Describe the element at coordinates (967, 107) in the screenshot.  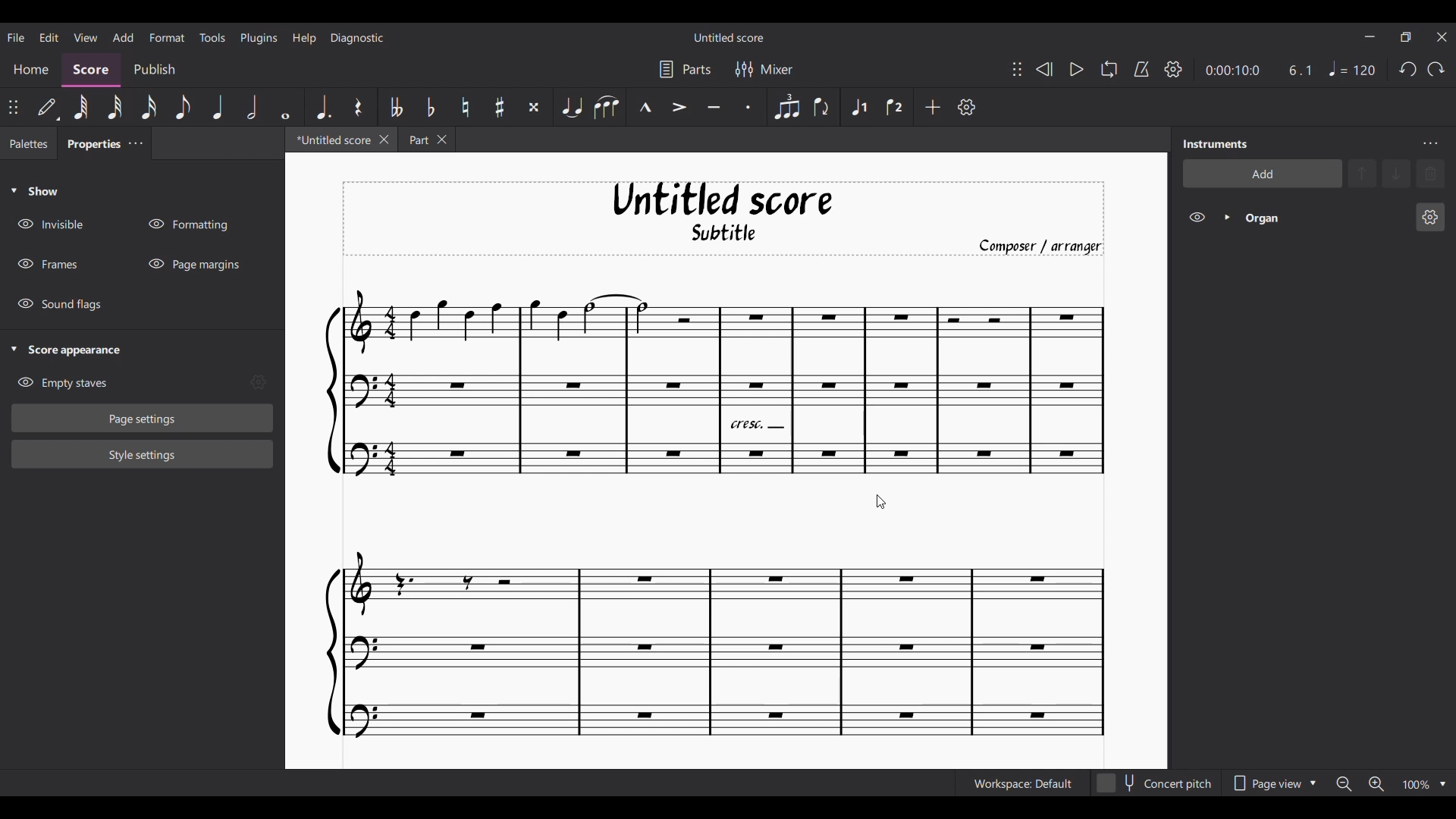
I see `Customize toolbar` at that location.